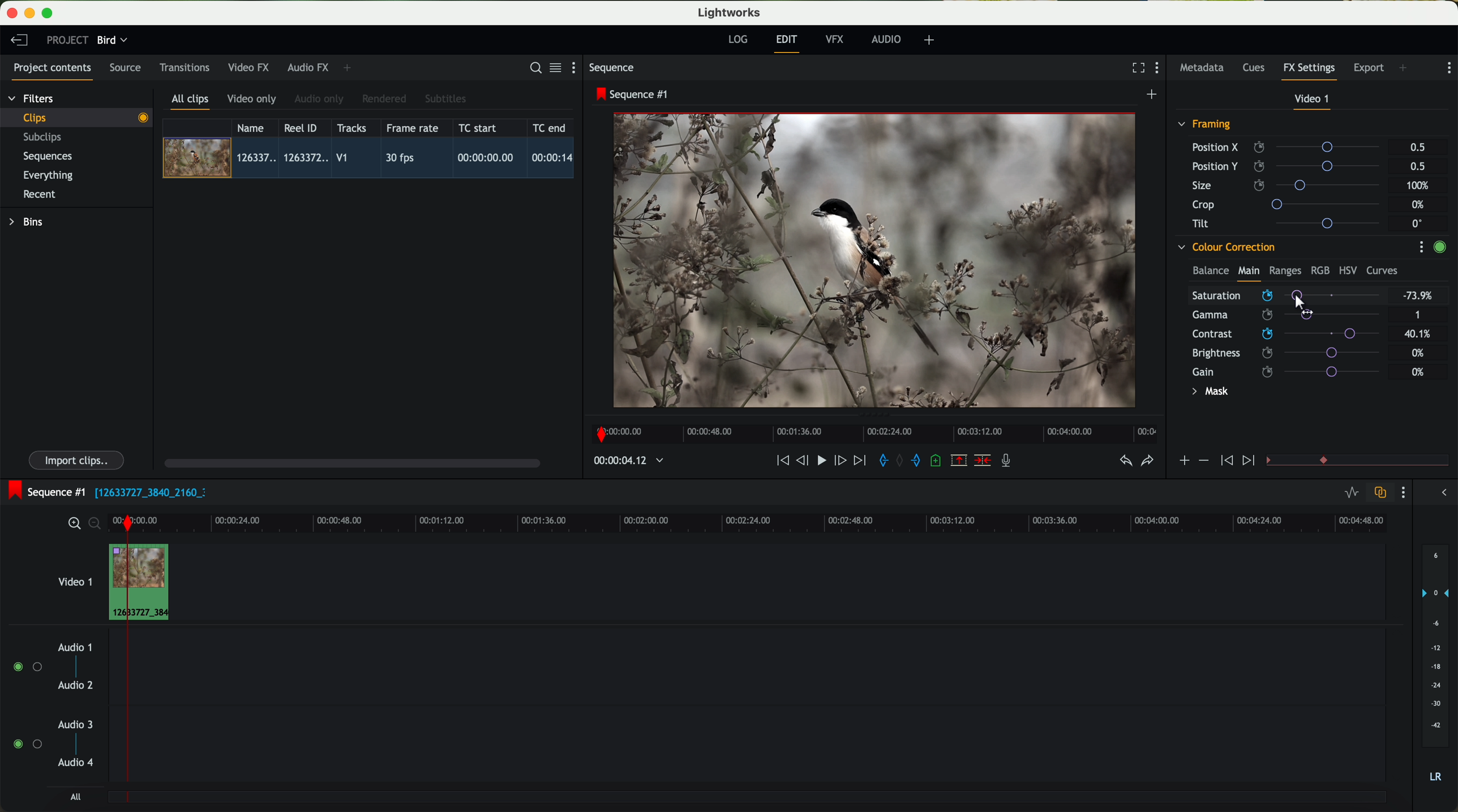 The image size is (1458, 812). What do you see at coordinates (1290, 166) in the screenshot?
I see `position Y` at bounding box center [1290, 166].